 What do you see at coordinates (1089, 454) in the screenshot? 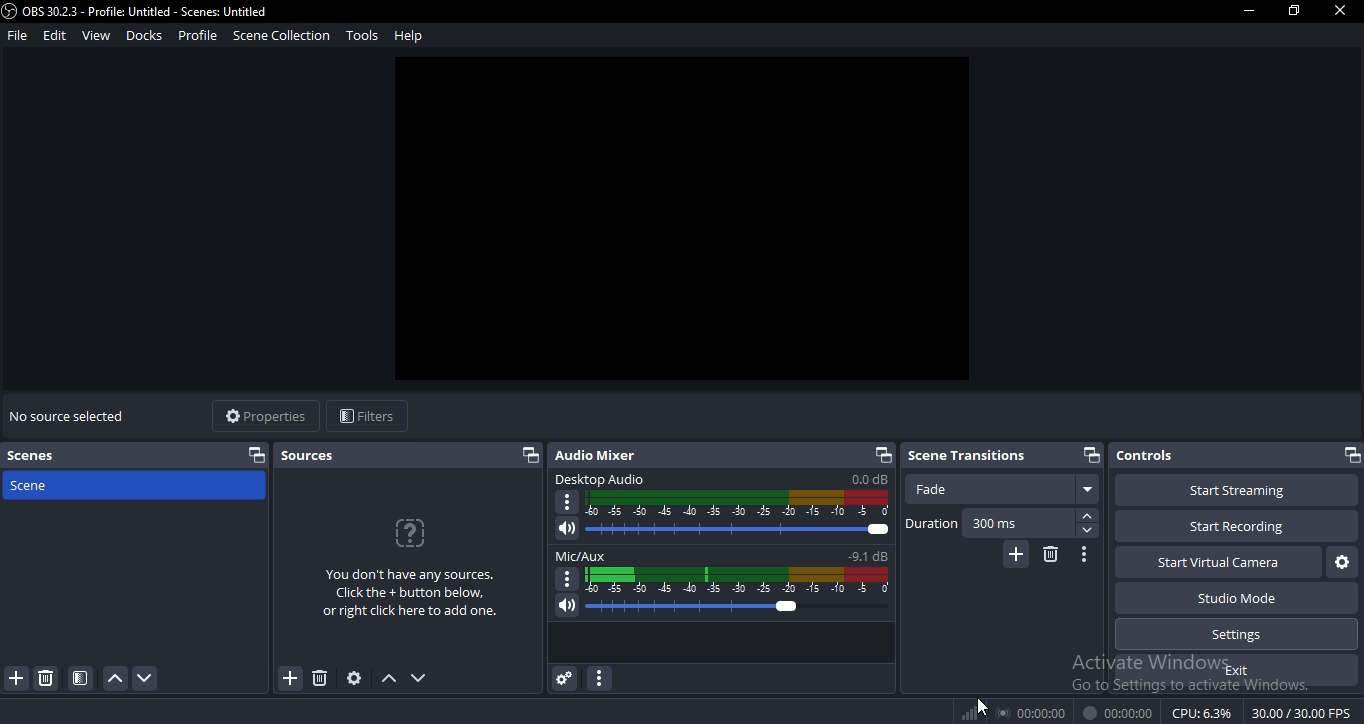
I see `restore` at bounding box center [1089, 454].